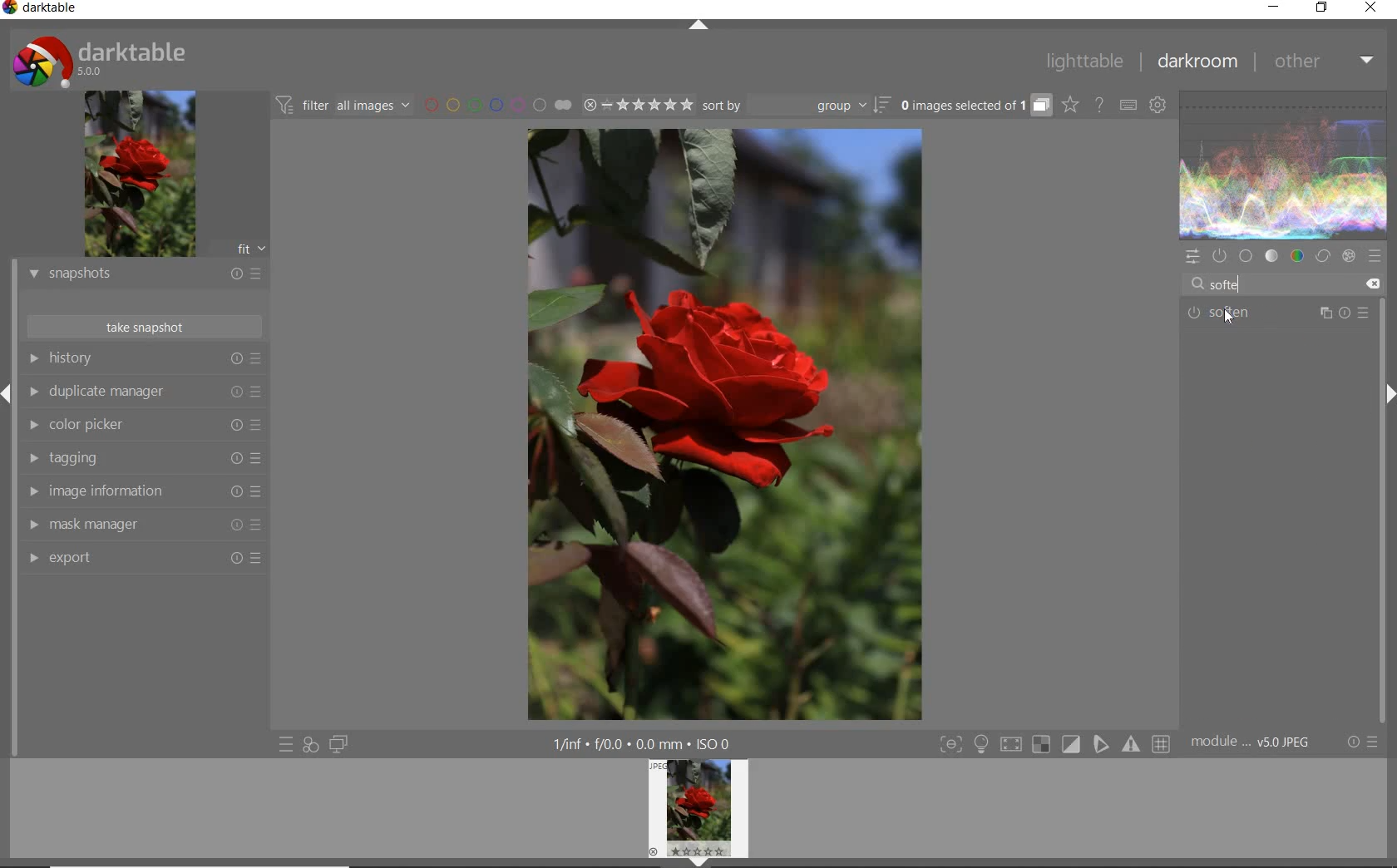 This screenshot has height=868, width=1397. Describe the element at coordinates (723, 423) in the screenshot. I see `selected image` at that location.